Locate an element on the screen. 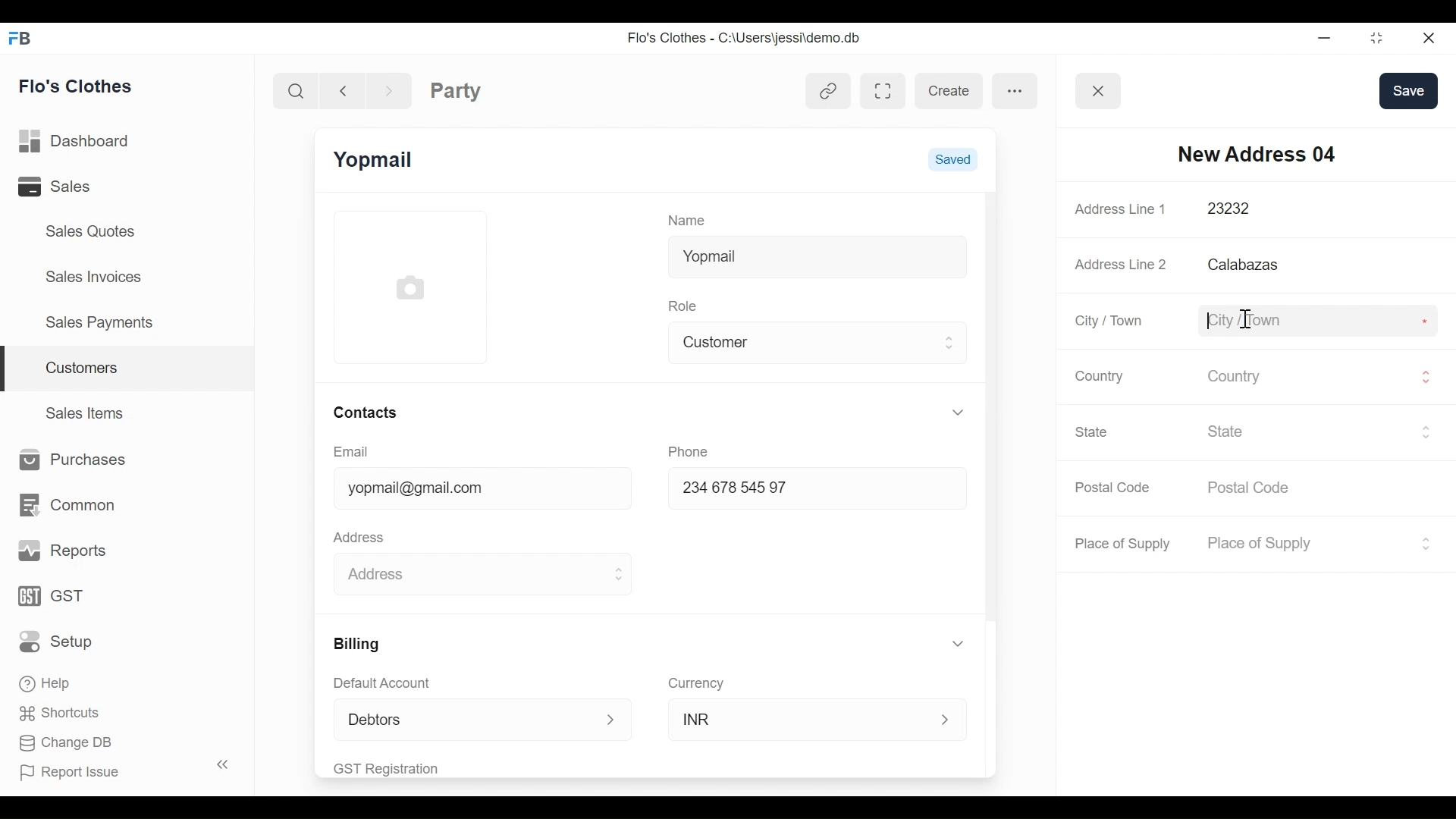 The width and height of the screenshot is (1456, 819). Party is located at coordinates (456, 90).